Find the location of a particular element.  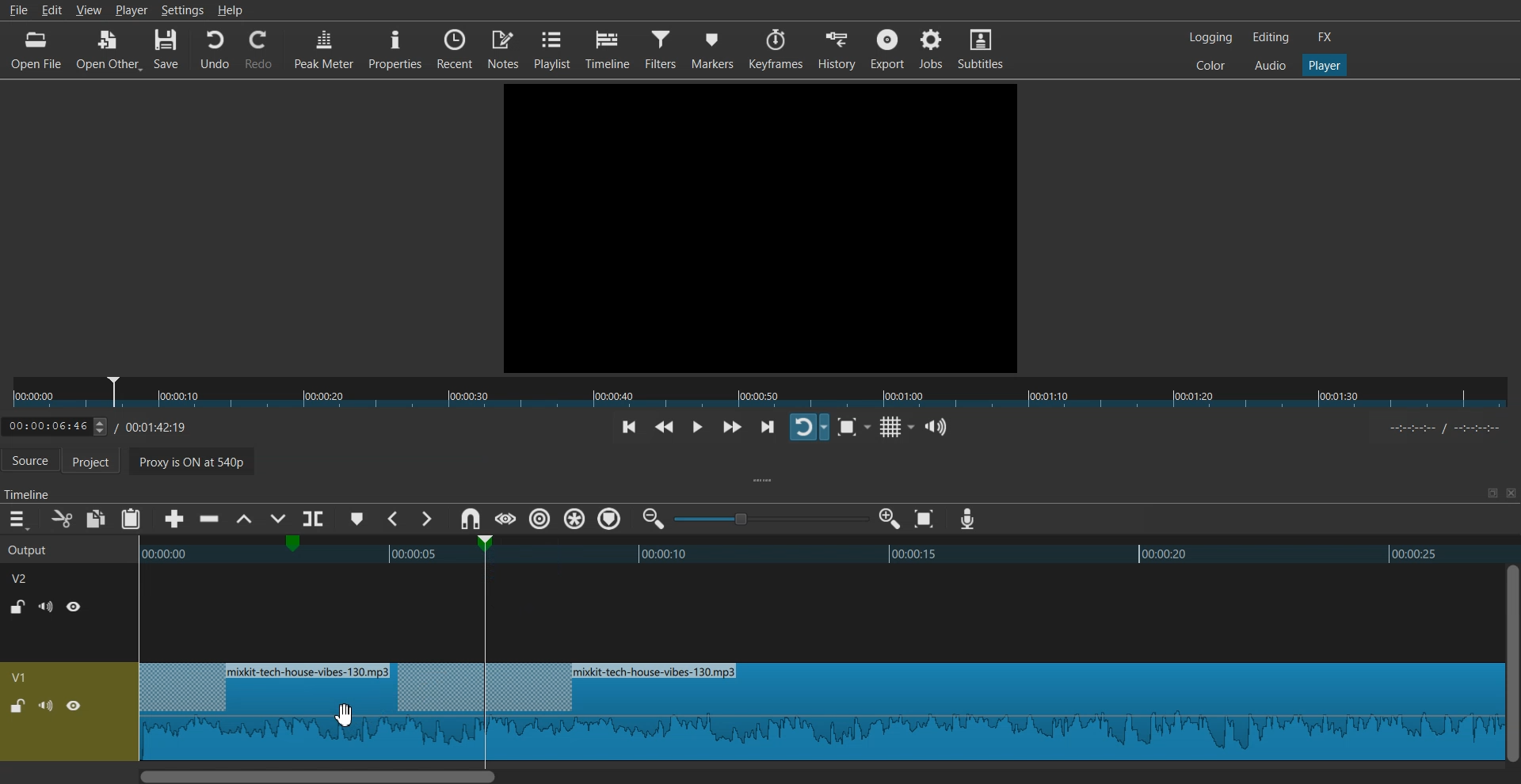

Next Marker is located at coordinates (425, 519).